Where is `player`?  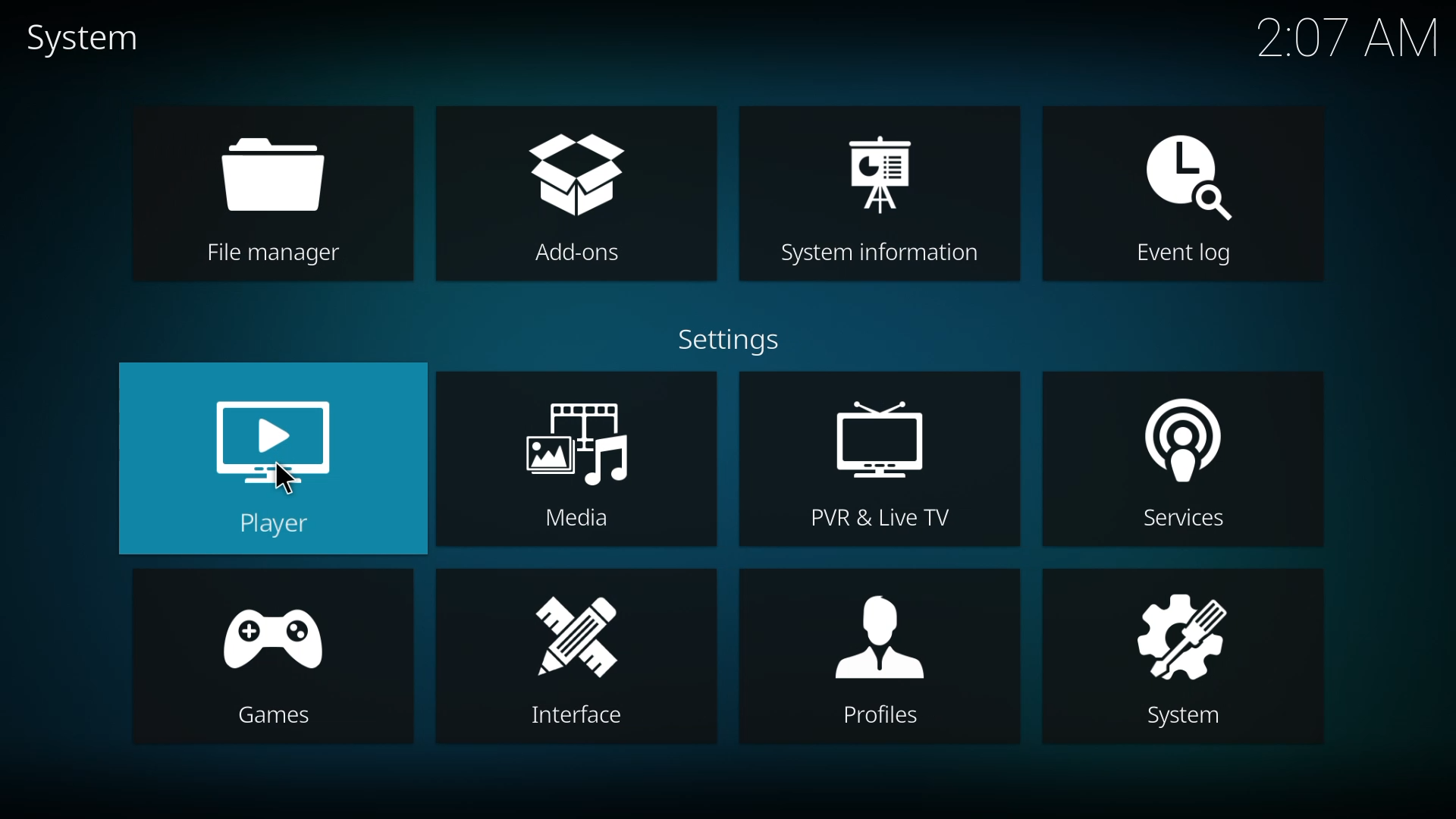 player is located at coordinates (275, 462).